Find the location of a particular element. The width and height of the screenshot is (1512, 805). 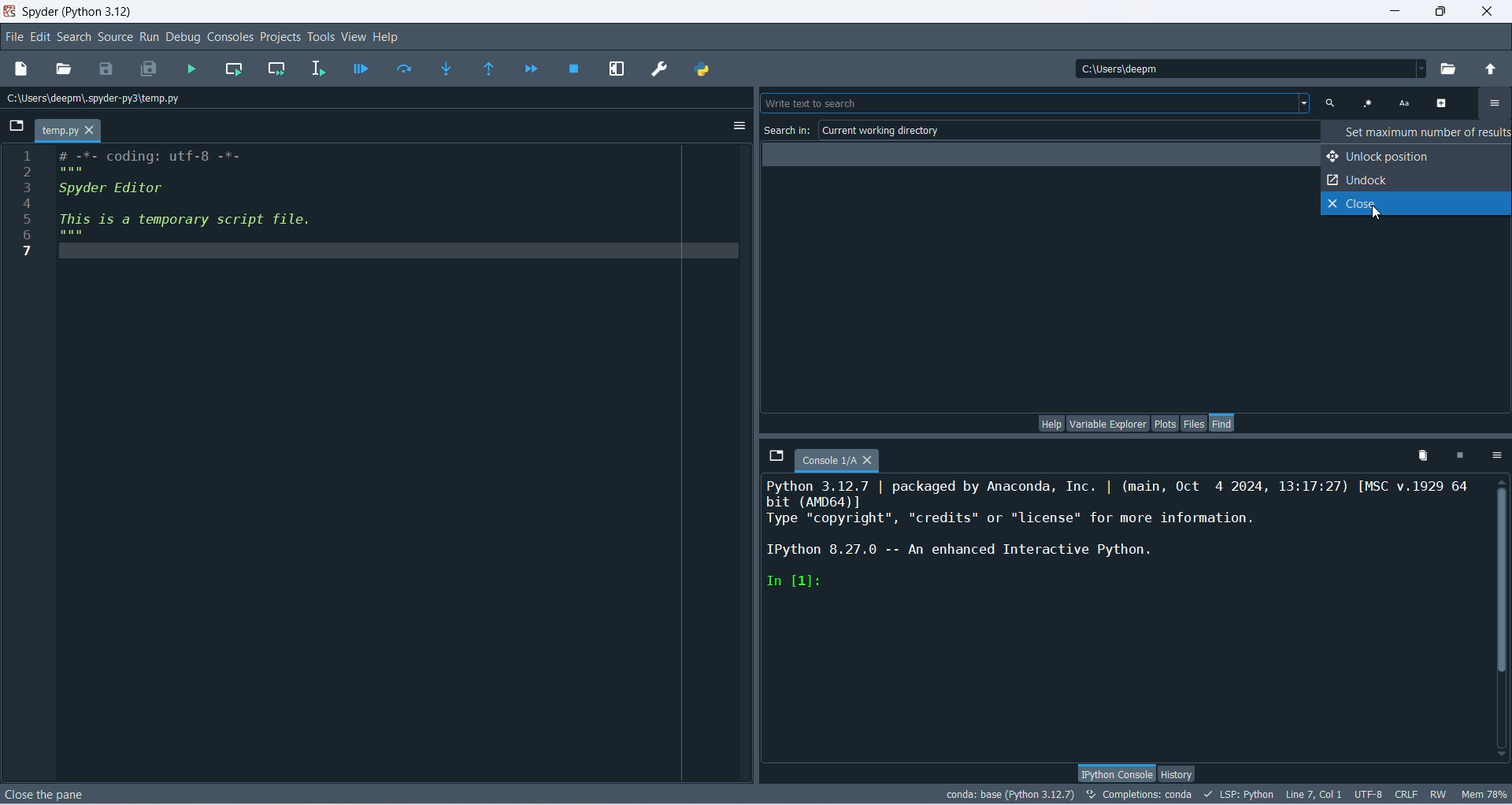

source is located at coordinates (117, 38).